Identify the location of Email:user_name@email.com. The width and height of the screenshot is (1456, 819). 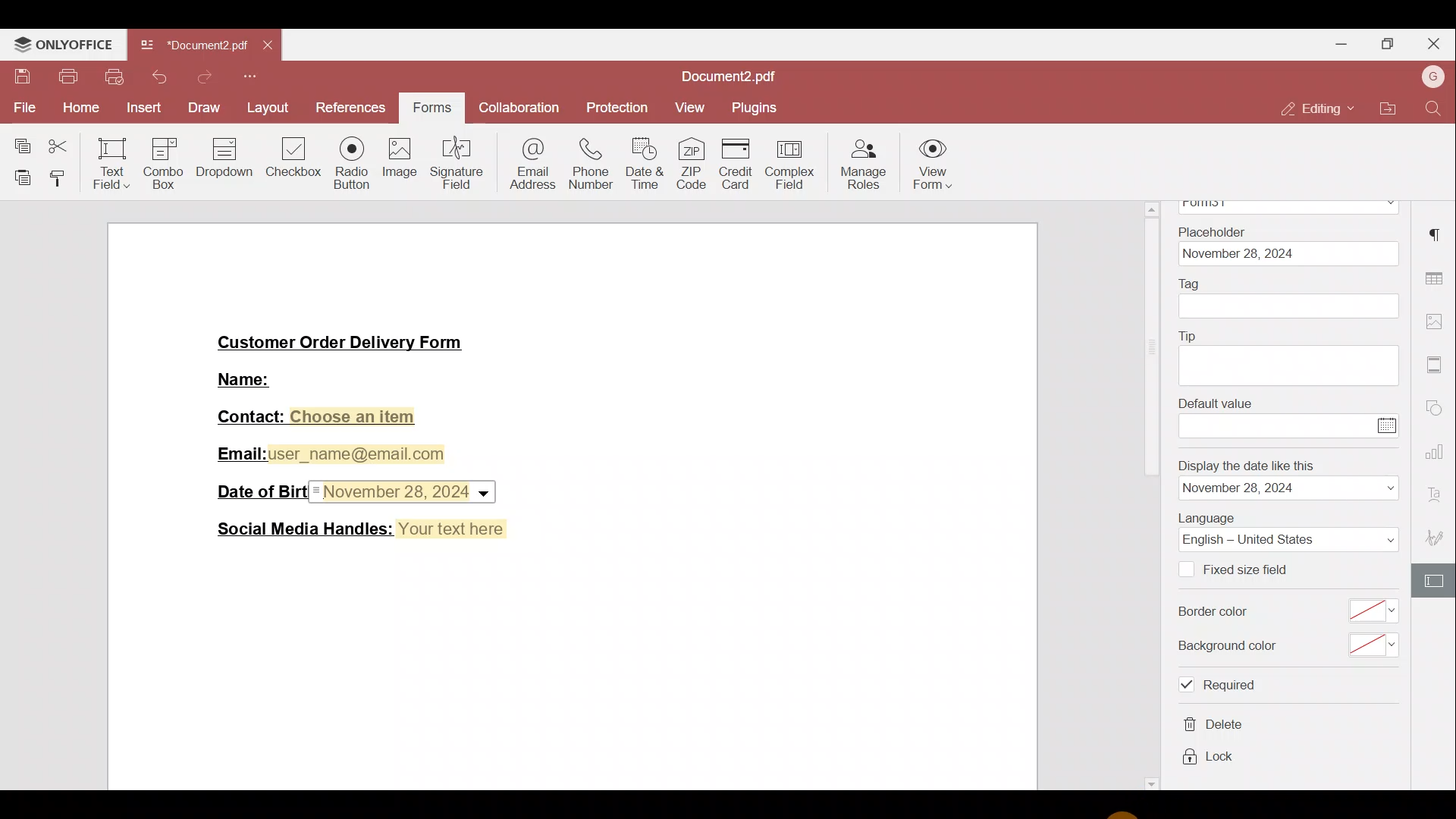
(327, 454).